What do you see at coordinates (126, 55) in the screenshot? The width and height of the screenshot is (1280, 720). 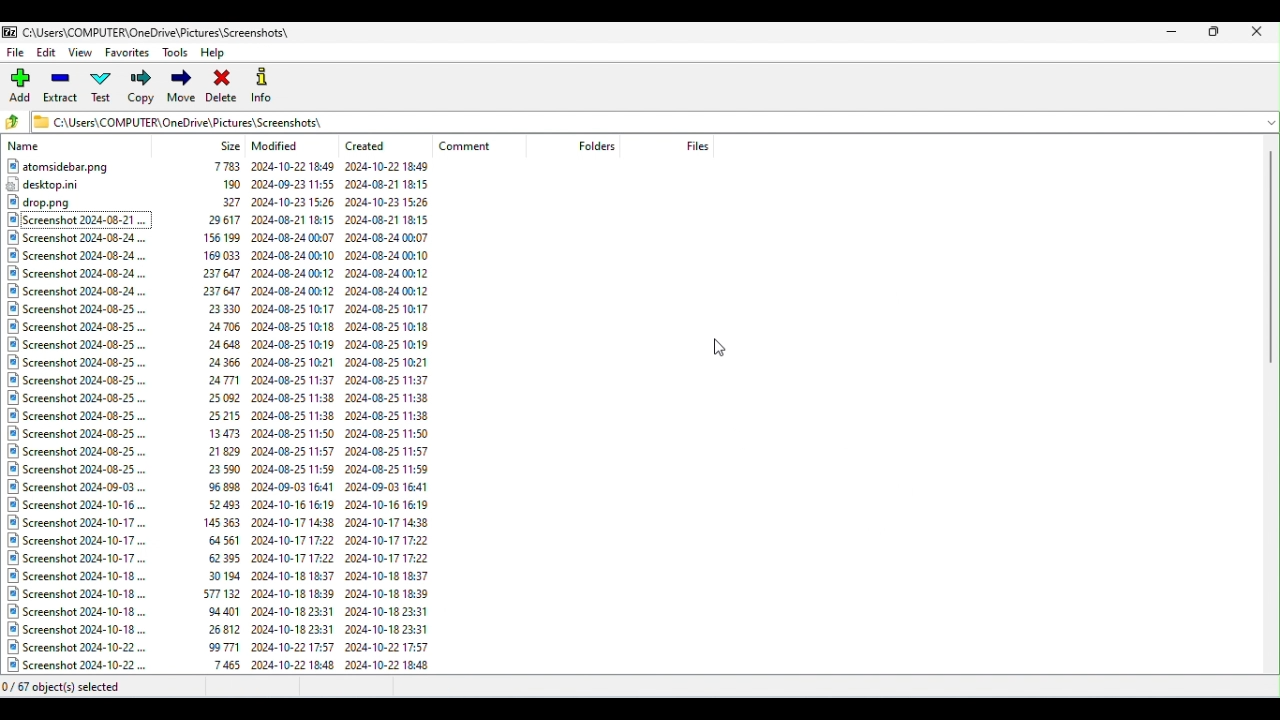 I see `Favorites` at bounding box center [126, 55].